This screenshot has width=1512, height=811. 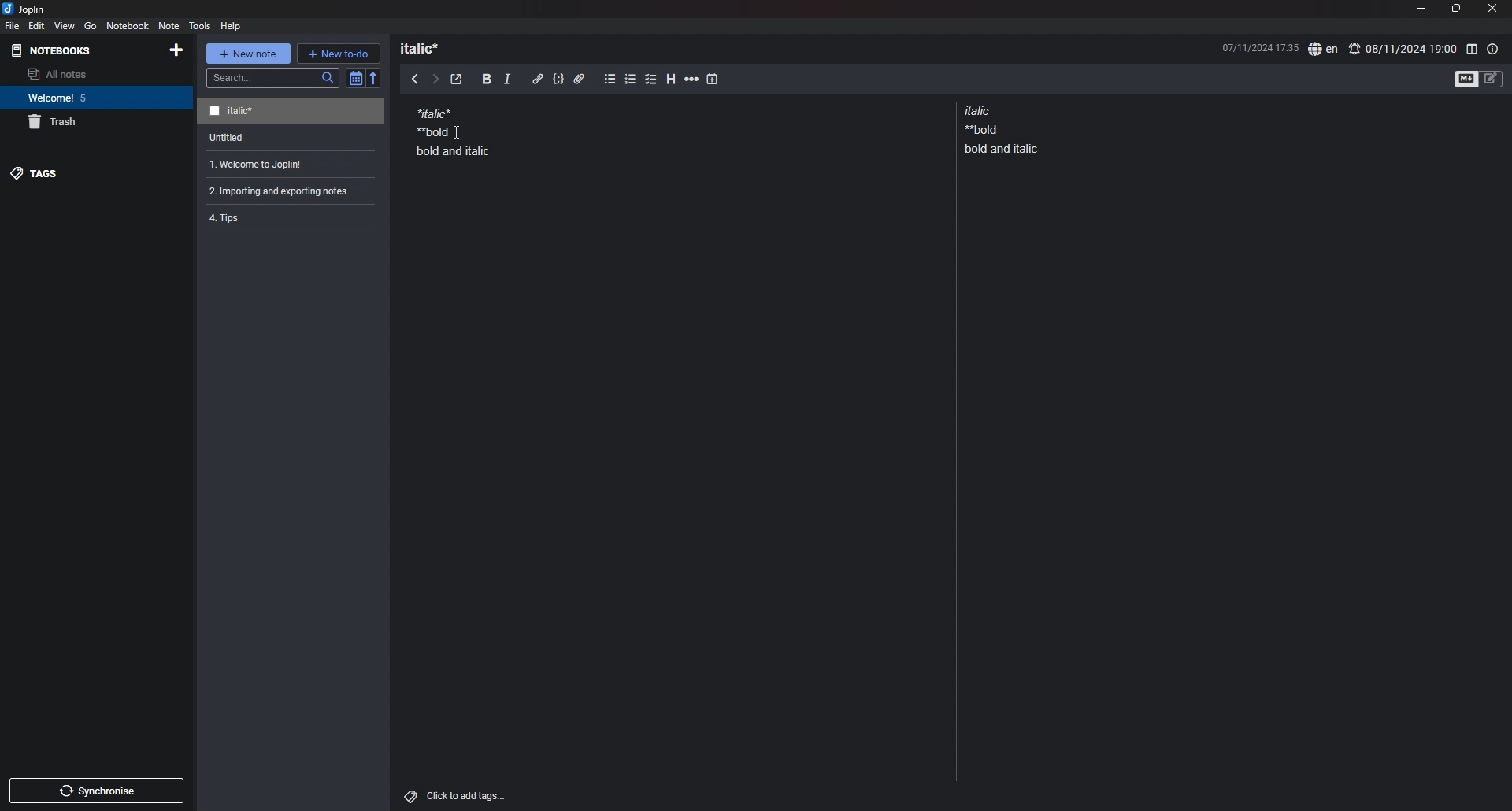 What do you see at coordinates (415, 78) in the screenshot?
I see `previous` at bounding box center [415, 78].